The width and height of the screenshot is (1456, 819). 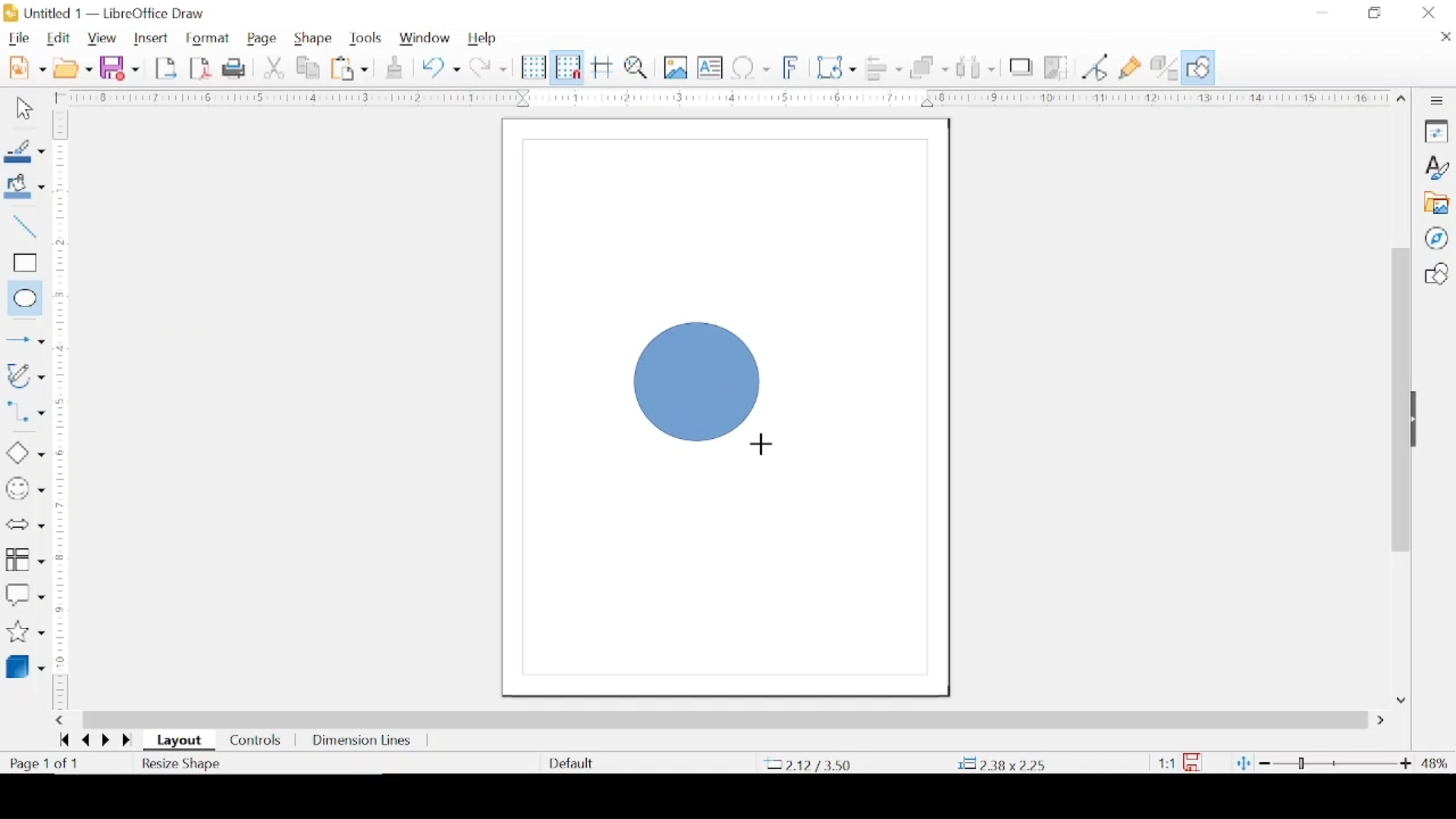 What do you see at coordinates (180, 742) in the screenshot?
I see `layout` at bounding box center [180, 742].